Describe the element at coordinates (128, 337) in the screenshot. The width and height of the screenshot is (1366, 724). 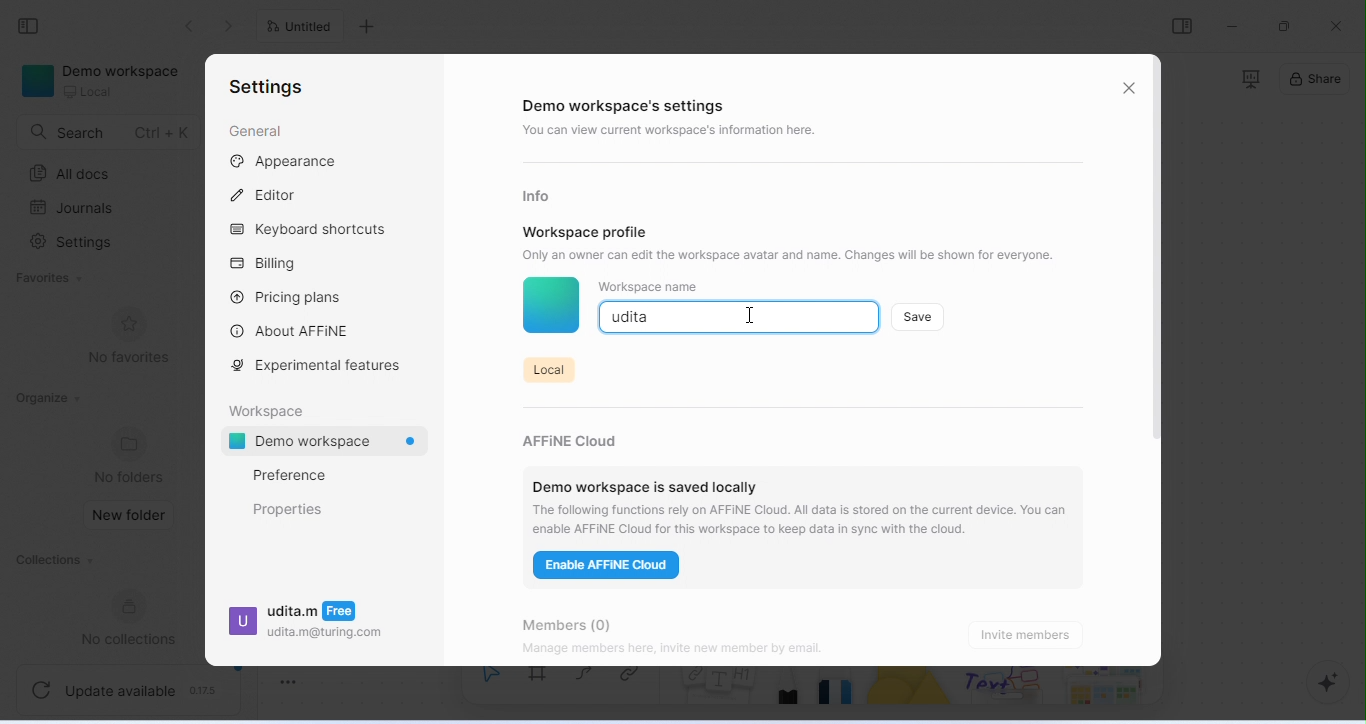
I see `no favorites` at that location.